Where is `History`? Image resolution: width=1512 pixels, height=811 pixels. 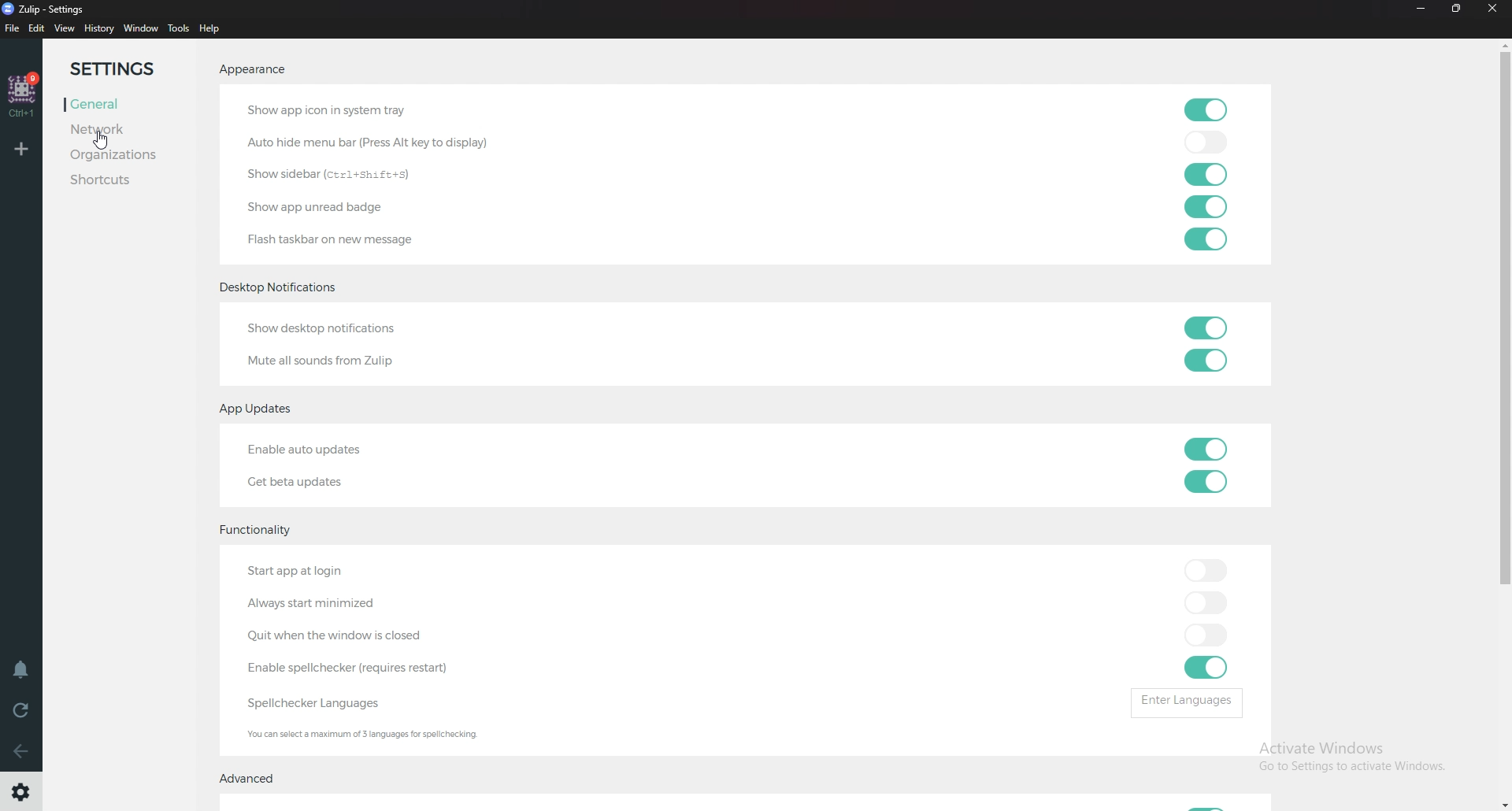
History is located at coordinates (99, 29).